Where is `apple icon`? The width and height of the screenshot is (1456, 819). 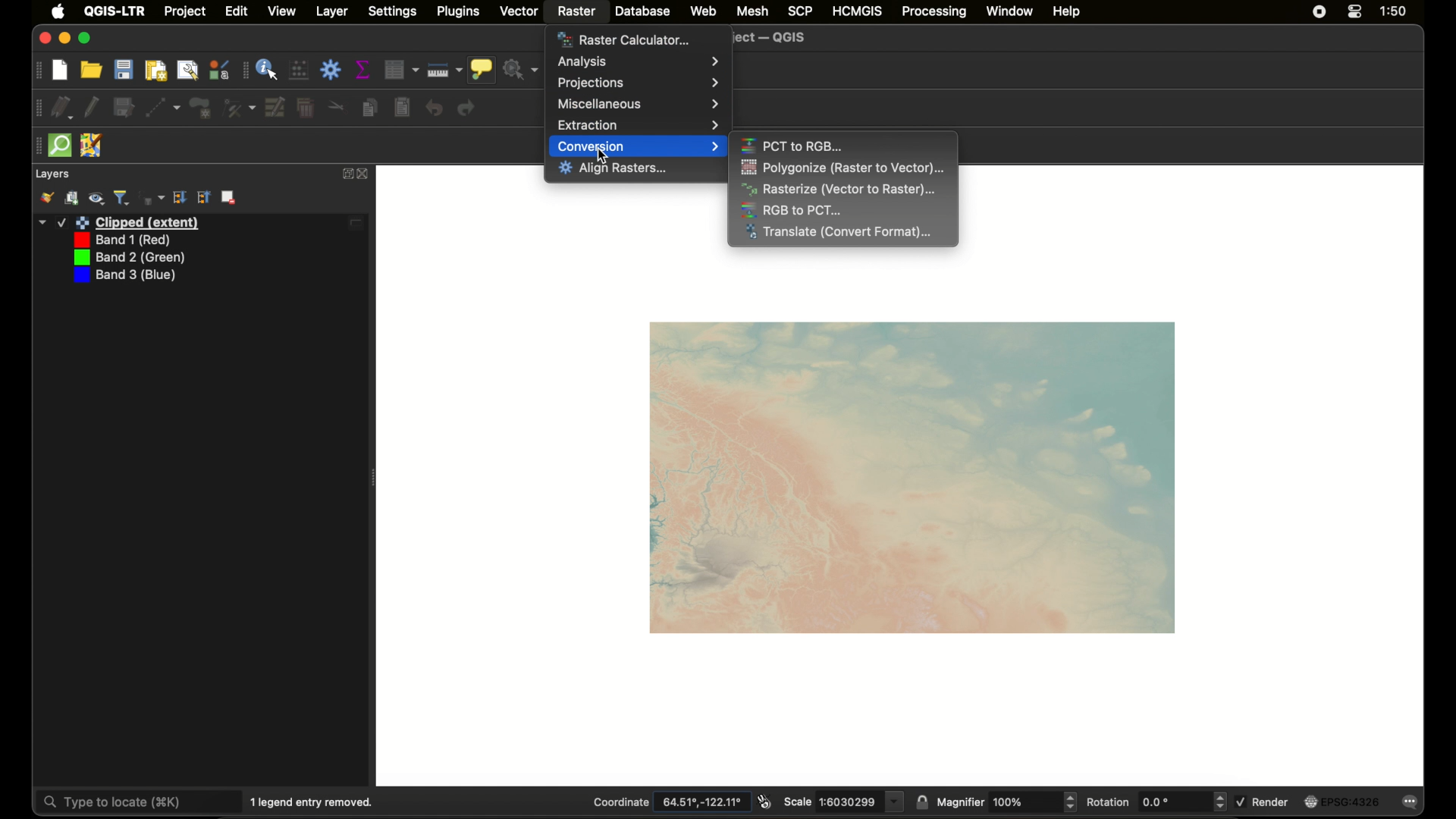
apple icon is located at coordinates (58, 11).